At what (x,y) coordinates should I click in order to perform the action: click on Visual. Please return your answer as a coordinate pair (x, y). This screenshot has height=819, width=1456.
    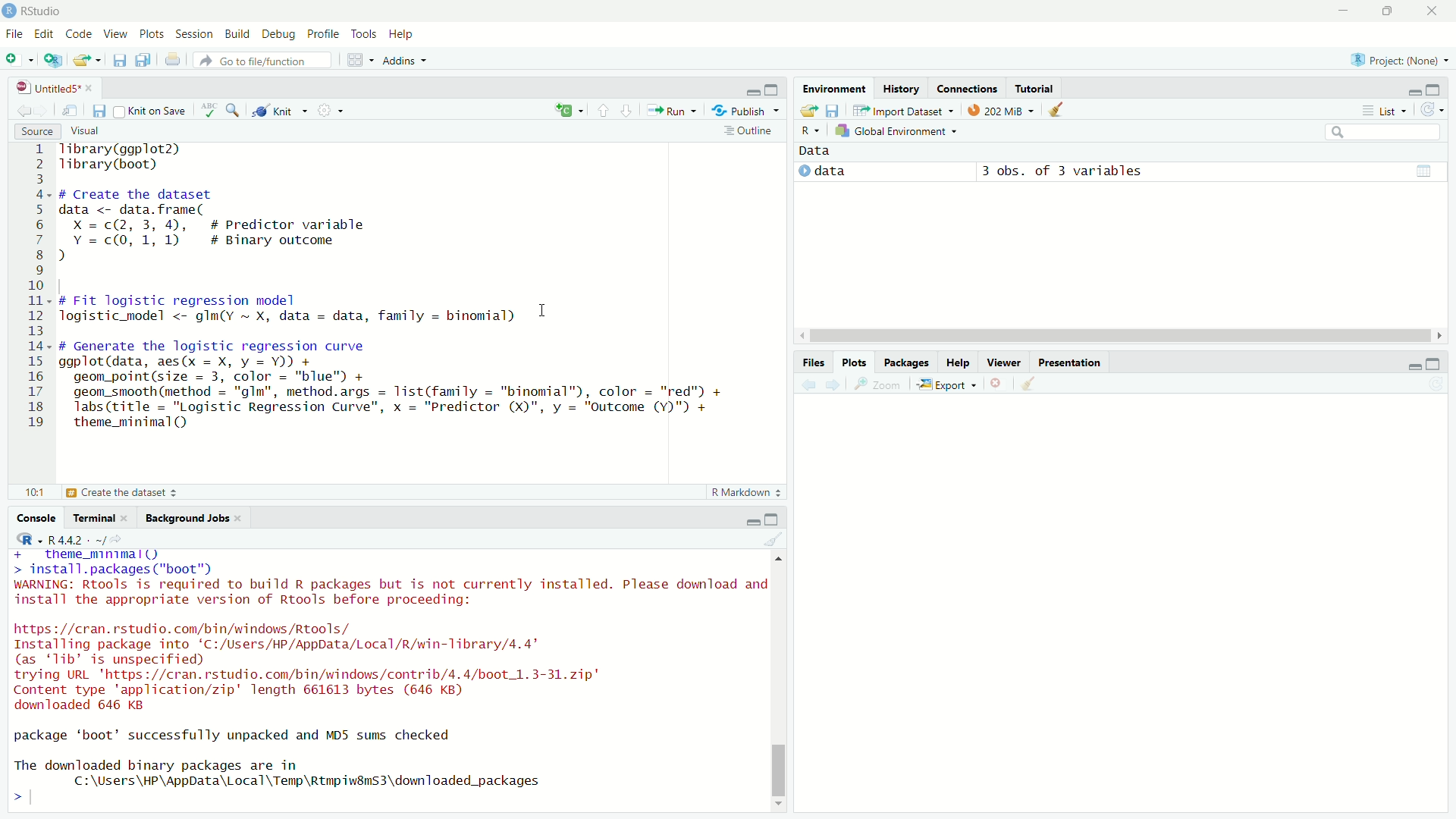
    Looking at the image, I should click on (84, 130).